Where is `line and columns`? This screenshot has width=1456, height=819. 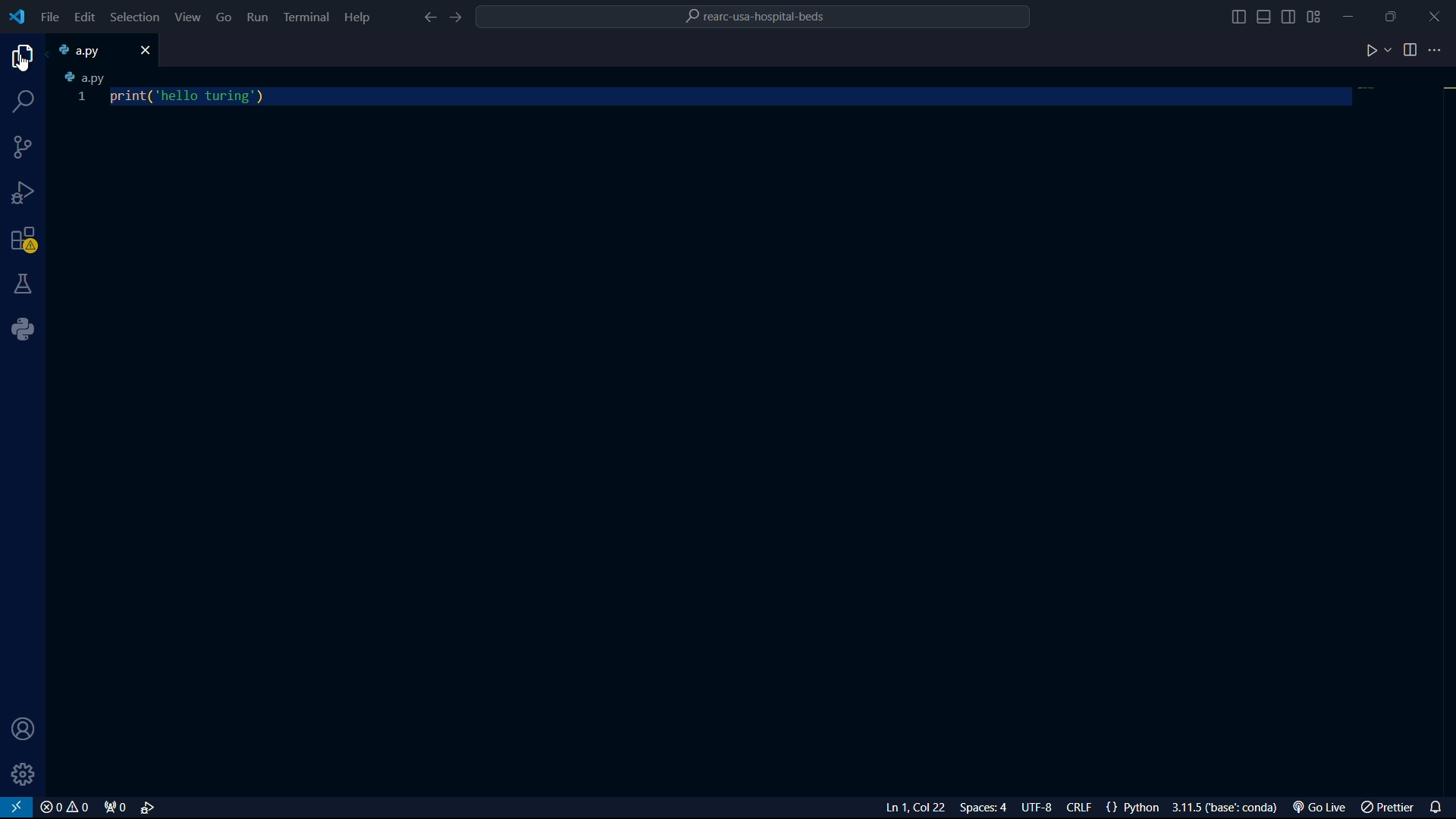 line and columns is located at coordinates (917, 808).